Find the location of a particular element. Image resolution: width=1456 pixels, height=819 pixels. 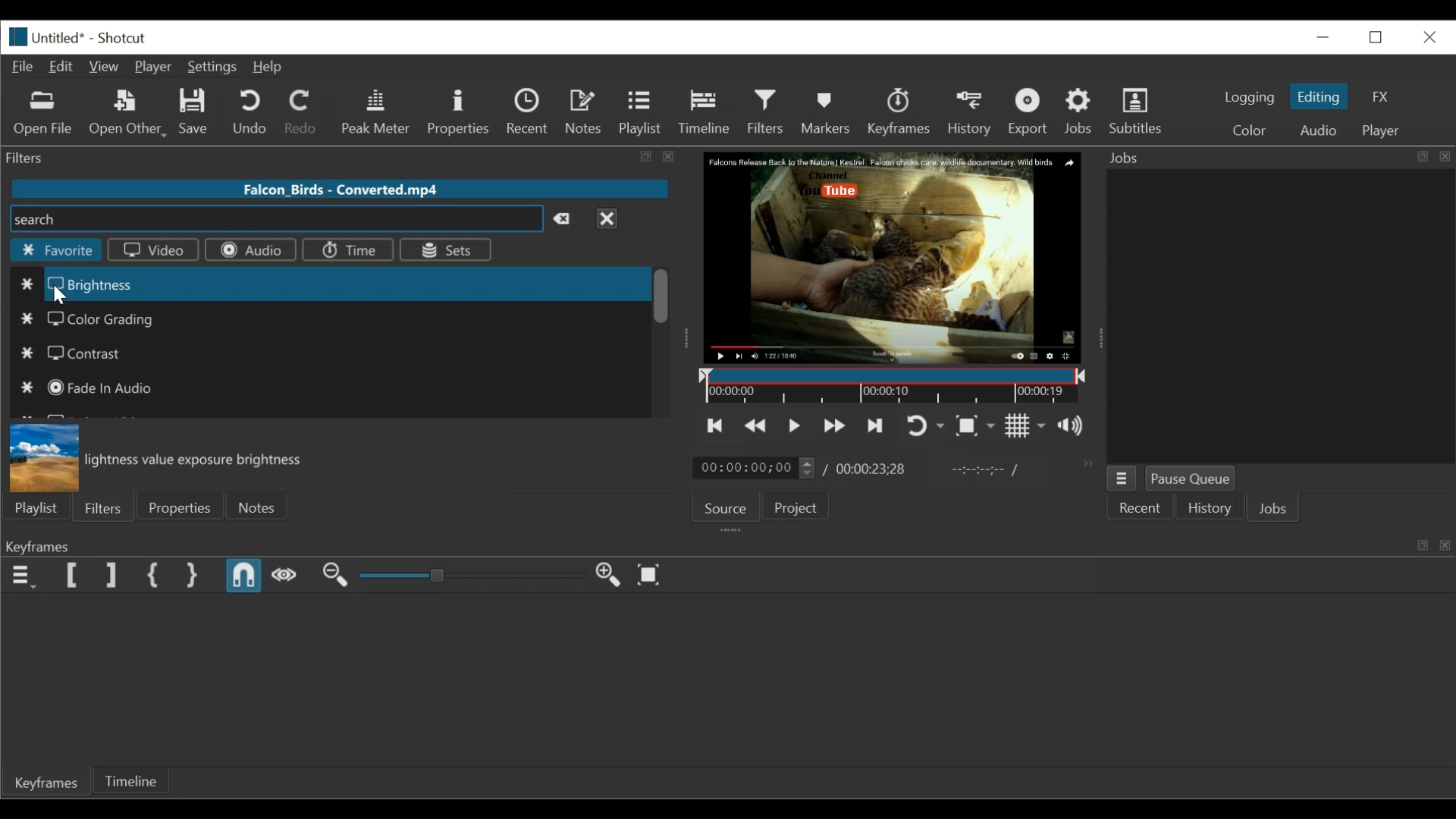

Shotcut is located at coordinates (124, 38).